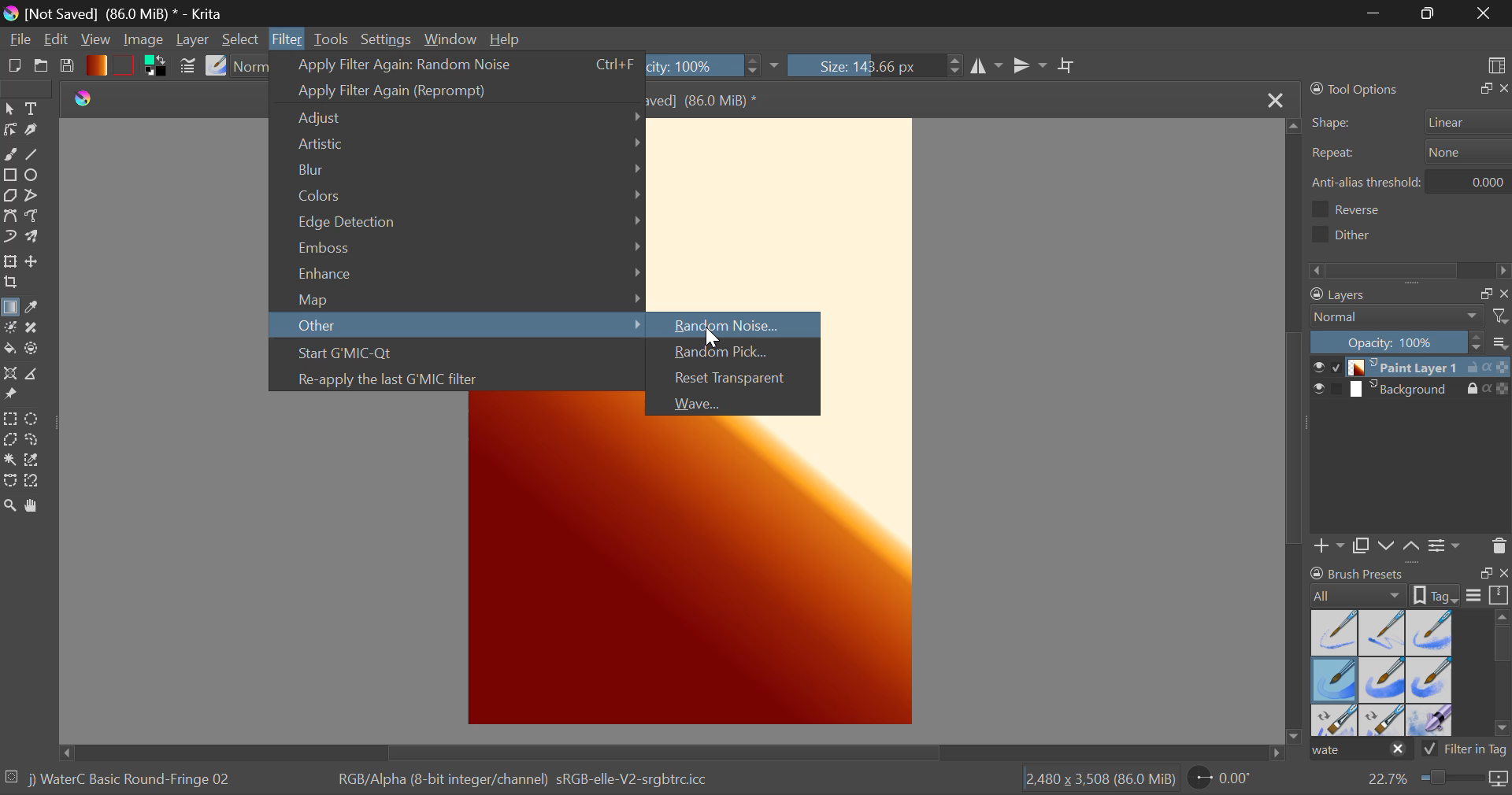 The image size is (1512, 795). Describe the element at coordinates (1499, 545) in the screenshot. I see `trash` at that location.